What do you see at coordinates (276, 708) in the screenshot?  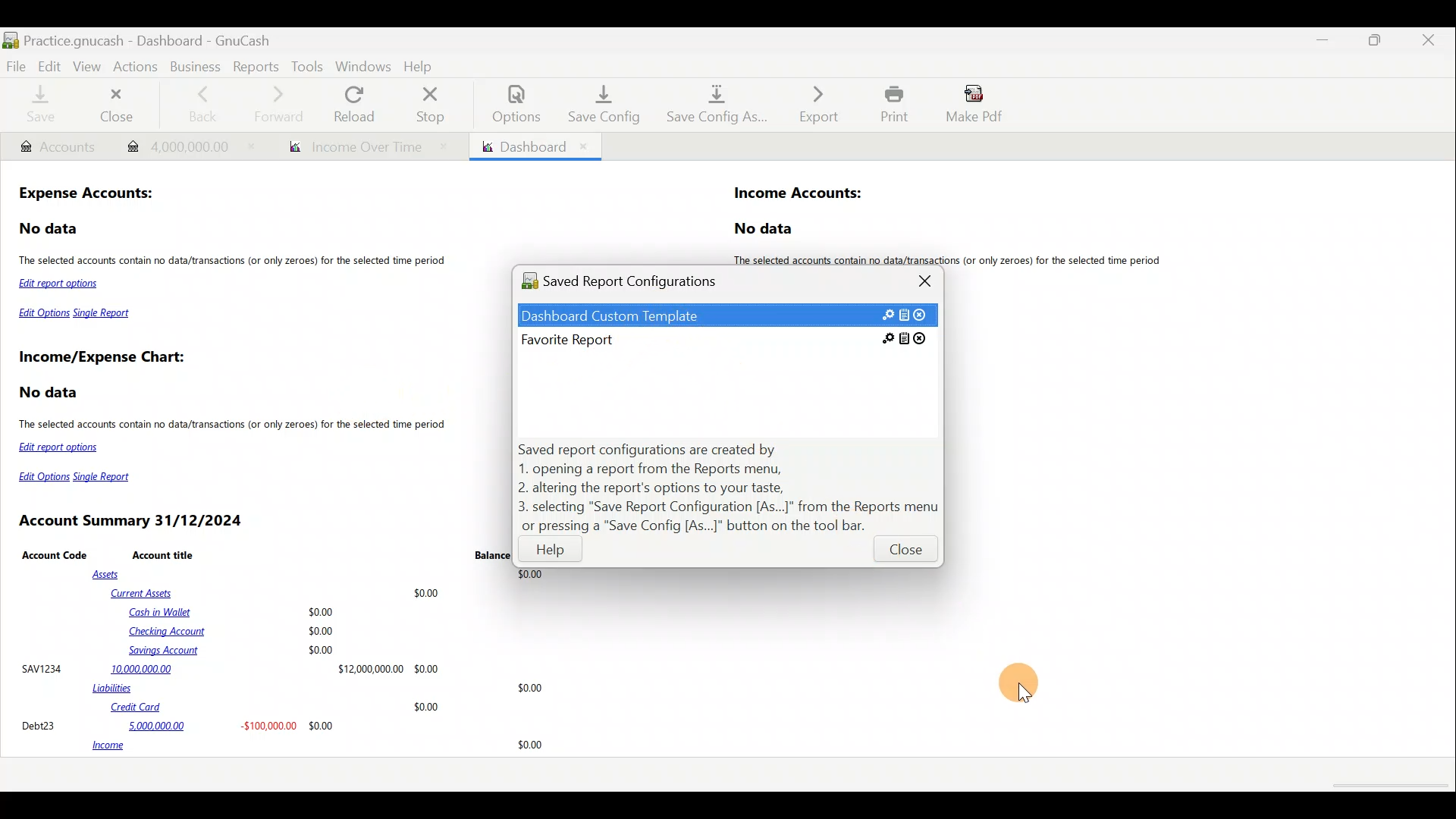 I see `Credit Card $0.00` at bounding box center [276, 708].